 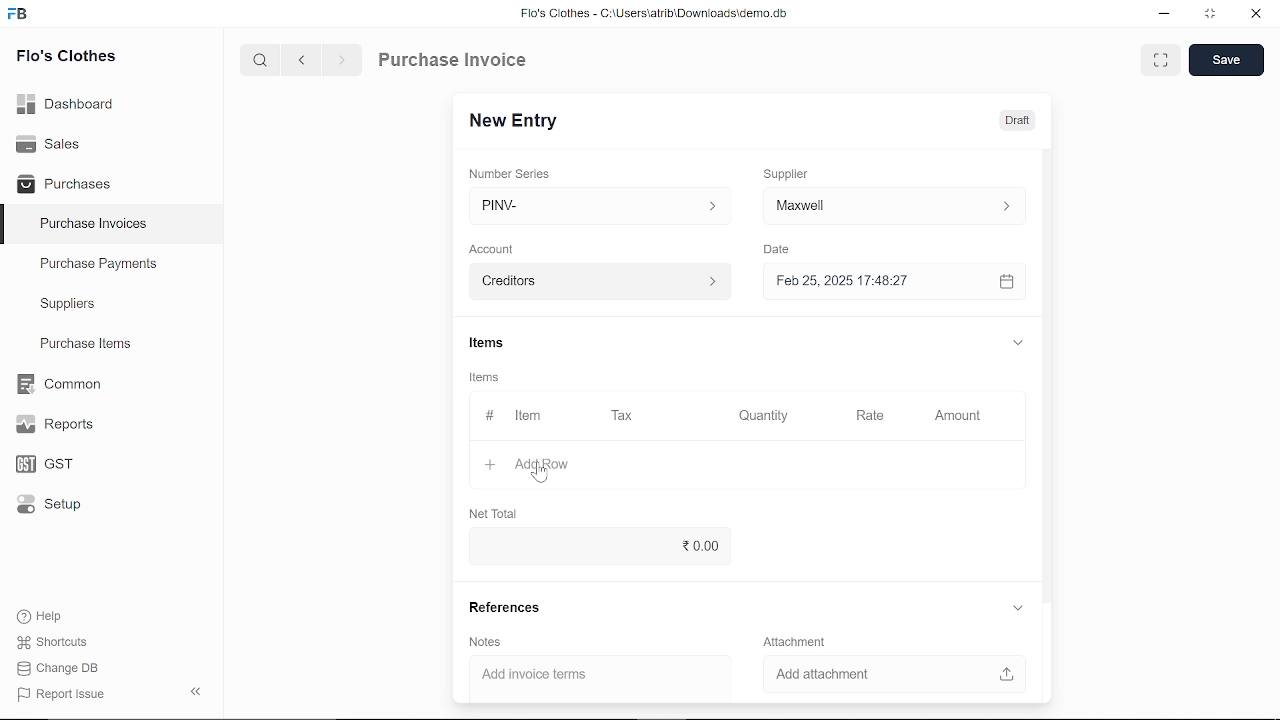 I want to click on Net Total, so click(x=497, y=513).